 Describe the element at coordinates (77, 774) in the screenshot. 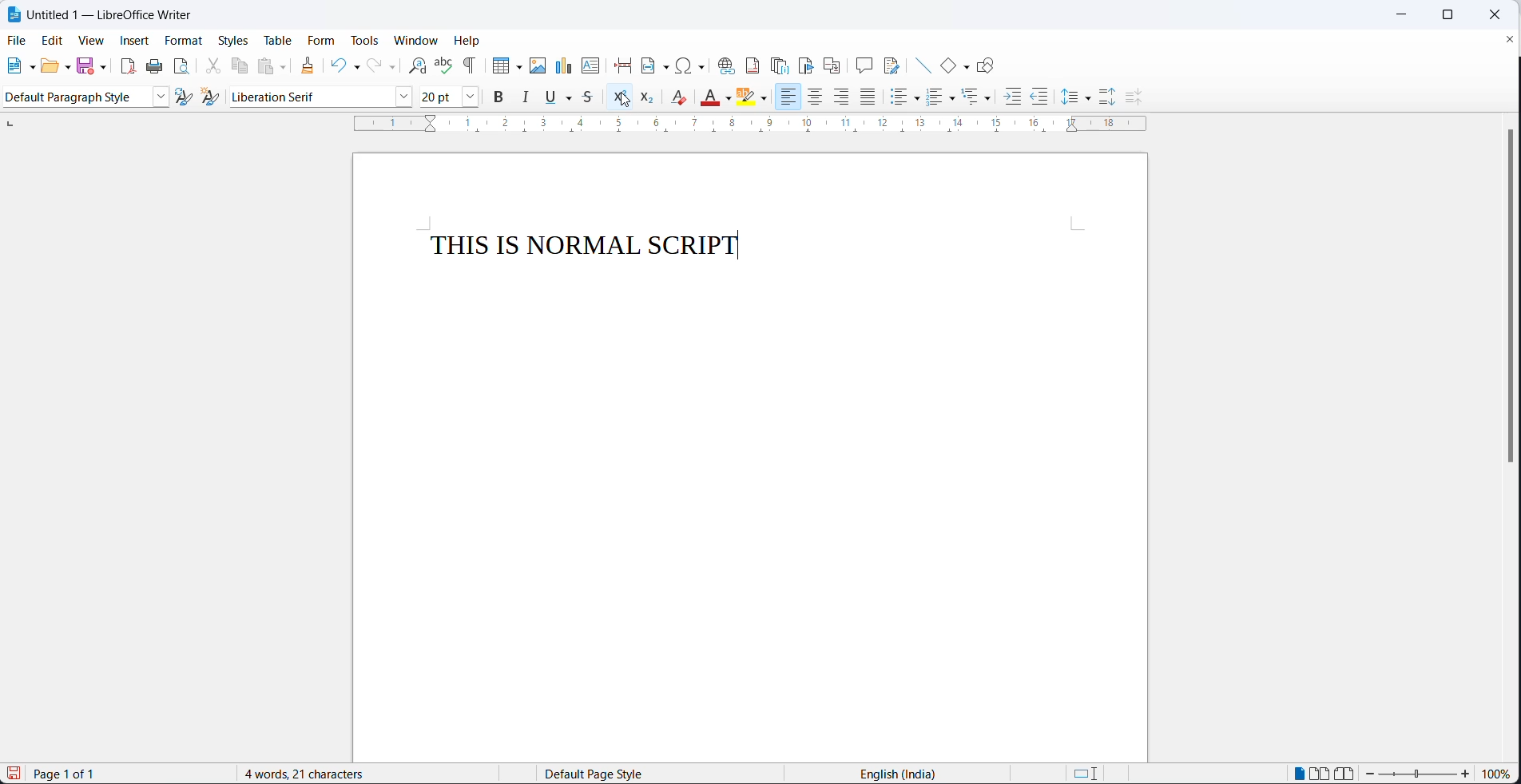

I see `current page` at that location.